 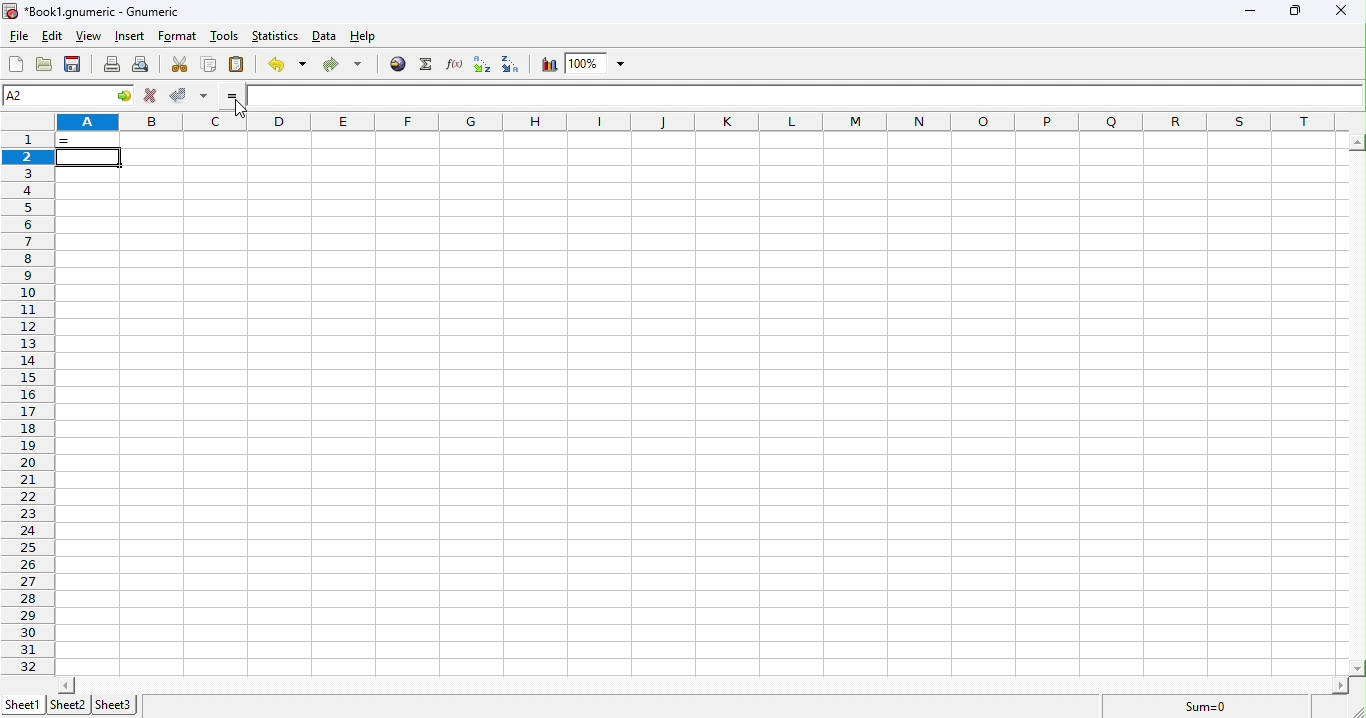 I want to click on view, so click(x=89, y=37).